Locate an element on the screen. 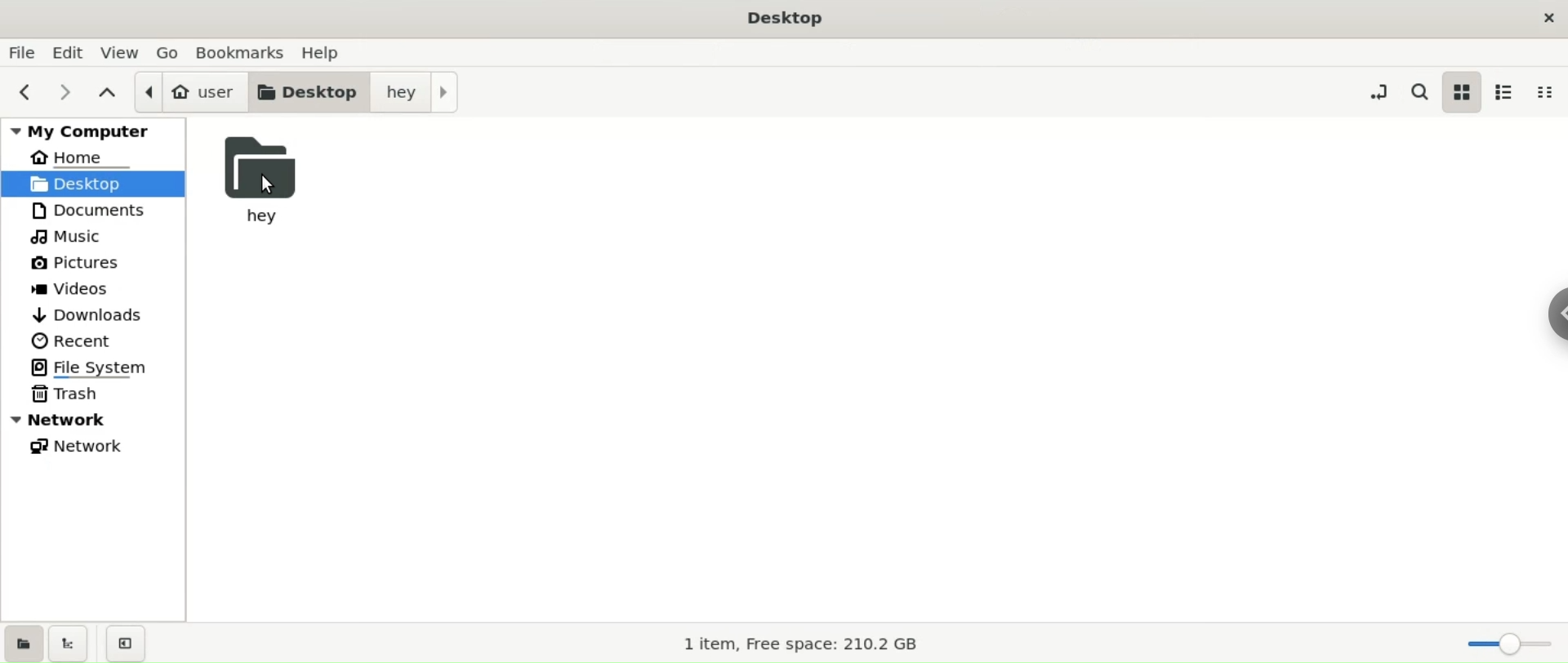 The height and width of the screenshot is (663, 1568). cursor is located at coordinates (268, 185).